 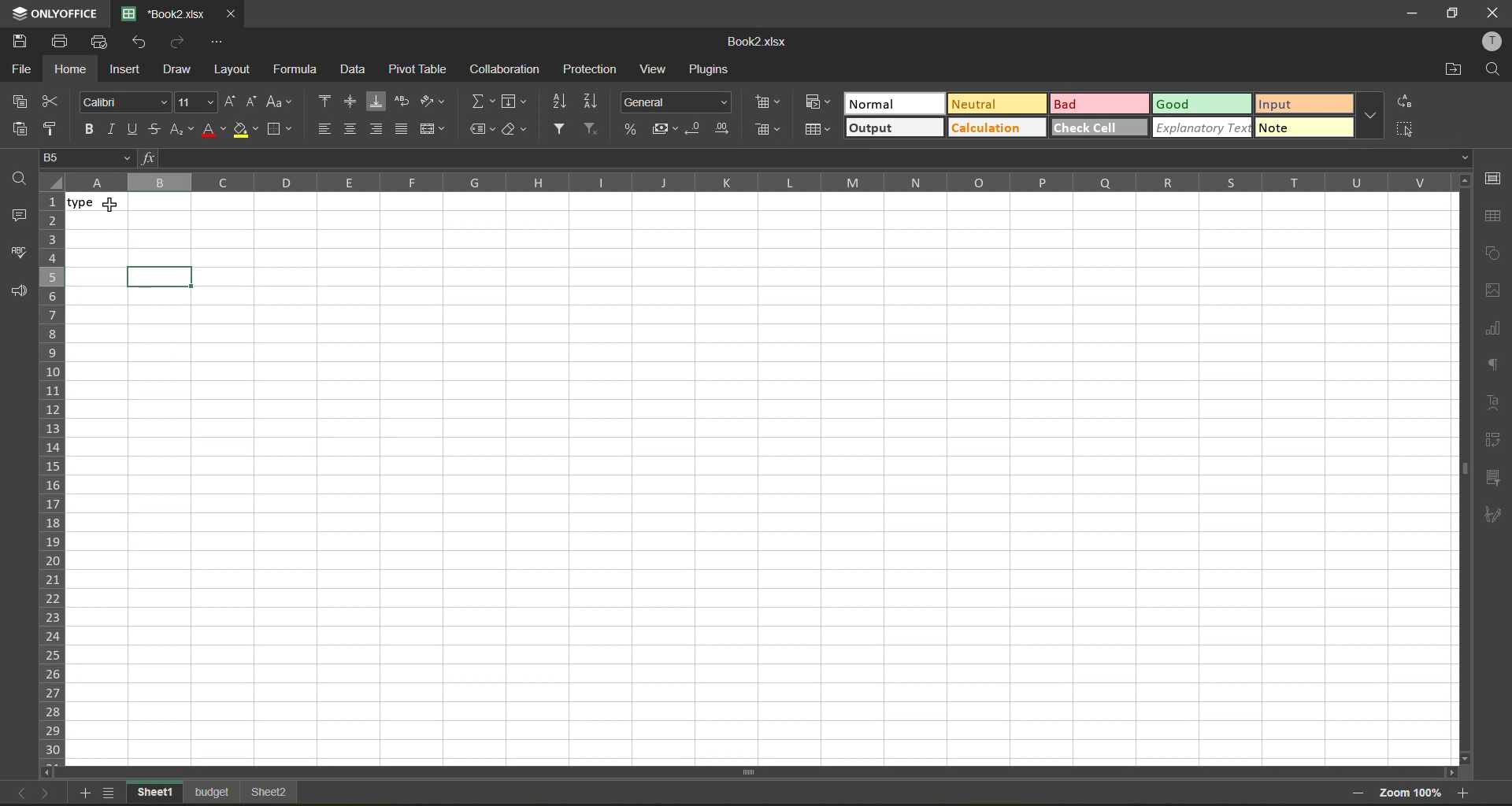 What do you see at coordinates (232, 100) in the screenshot?
I see `increment size` at bounding box center [232, 100].